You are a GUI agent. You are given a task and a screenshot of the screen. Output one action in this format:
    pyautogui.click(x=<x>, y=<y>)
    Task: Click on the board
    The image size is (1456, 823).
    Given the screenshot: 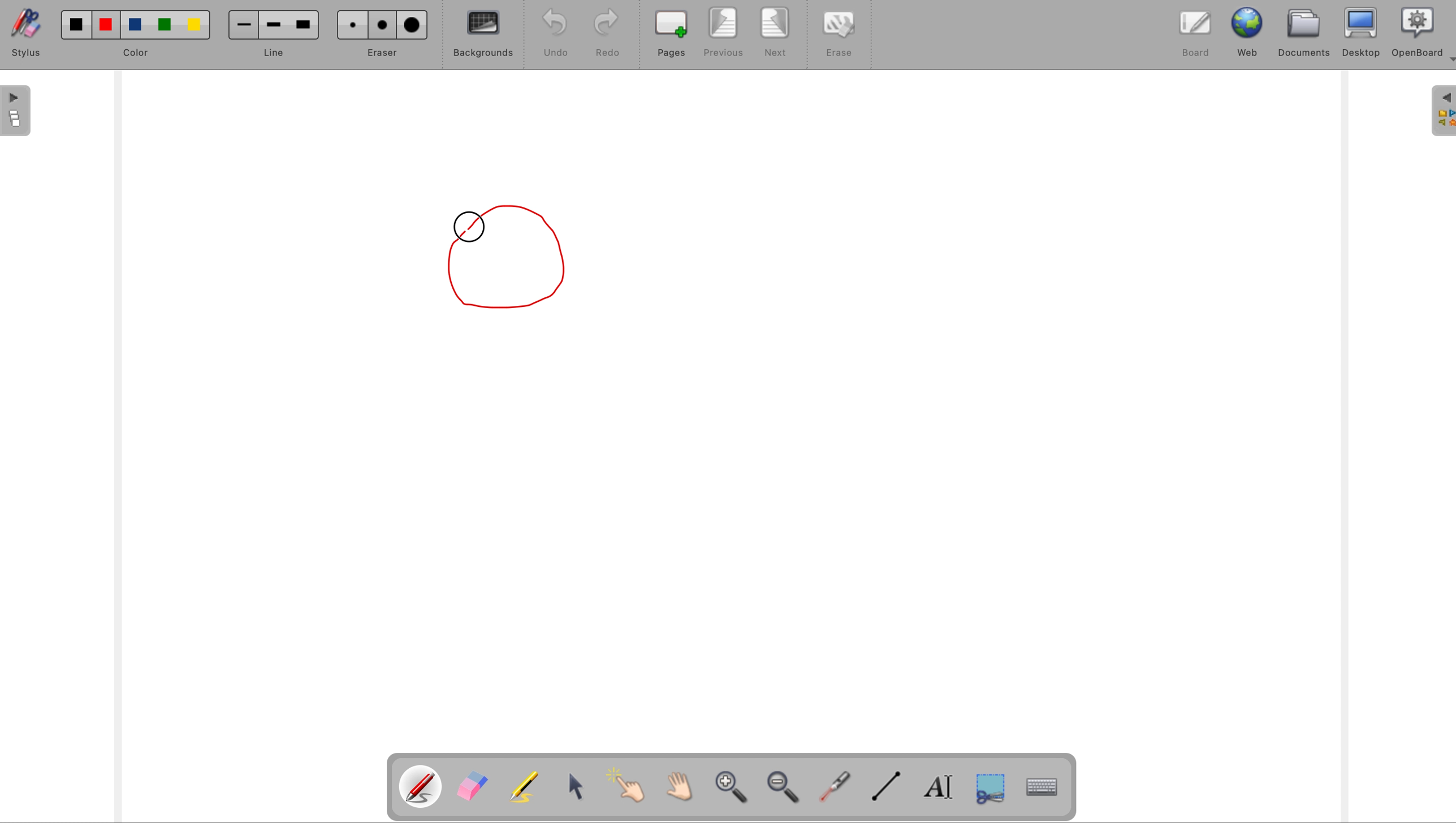 What is the action you would take?
    pyautogui.click(x=1192, y=37)
    